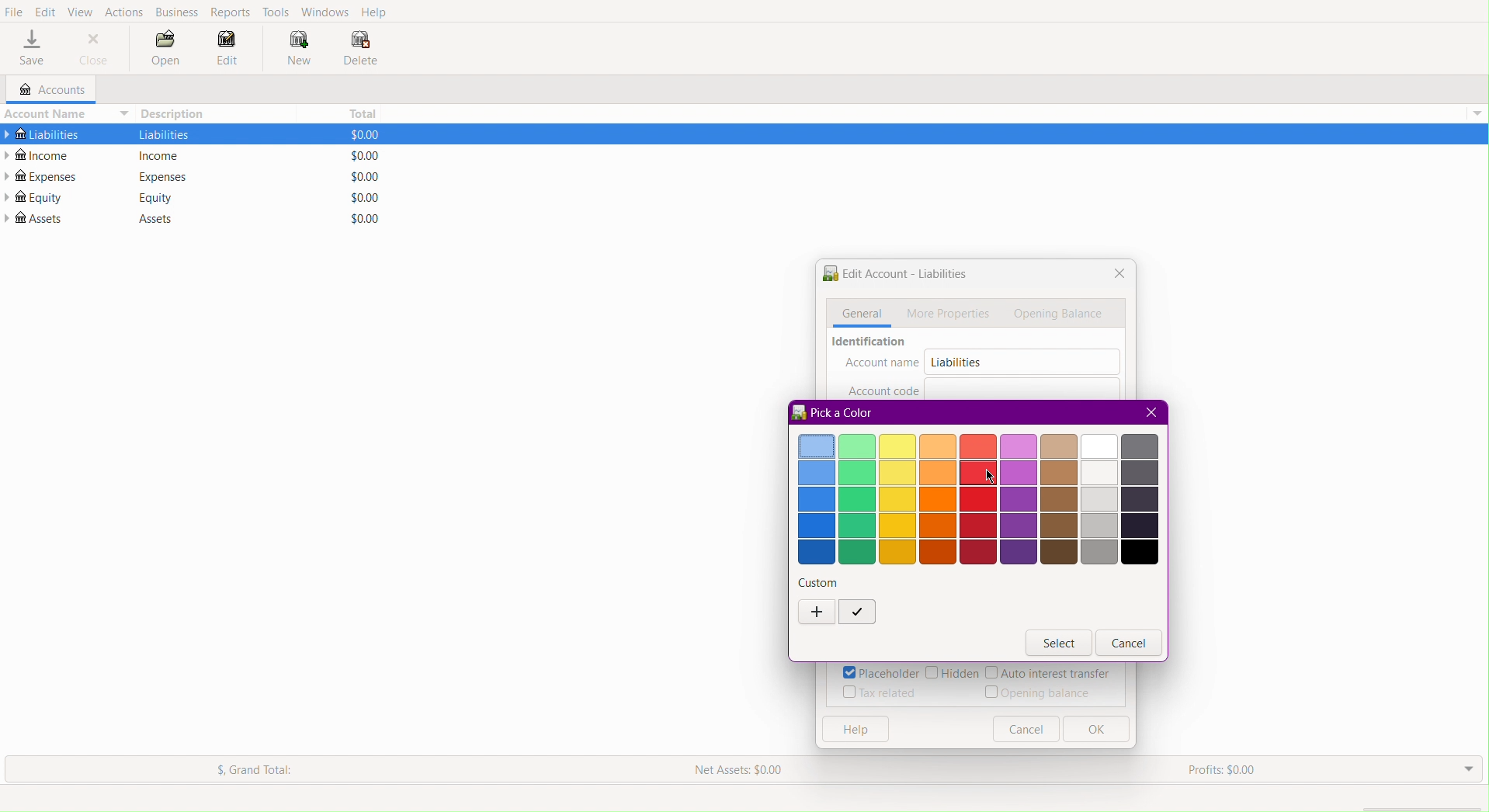 The height and width of the screenshot is (812, 1489). Describe the element at coordinates (33, 197) in the screenshot. I see `Equity` at that location.